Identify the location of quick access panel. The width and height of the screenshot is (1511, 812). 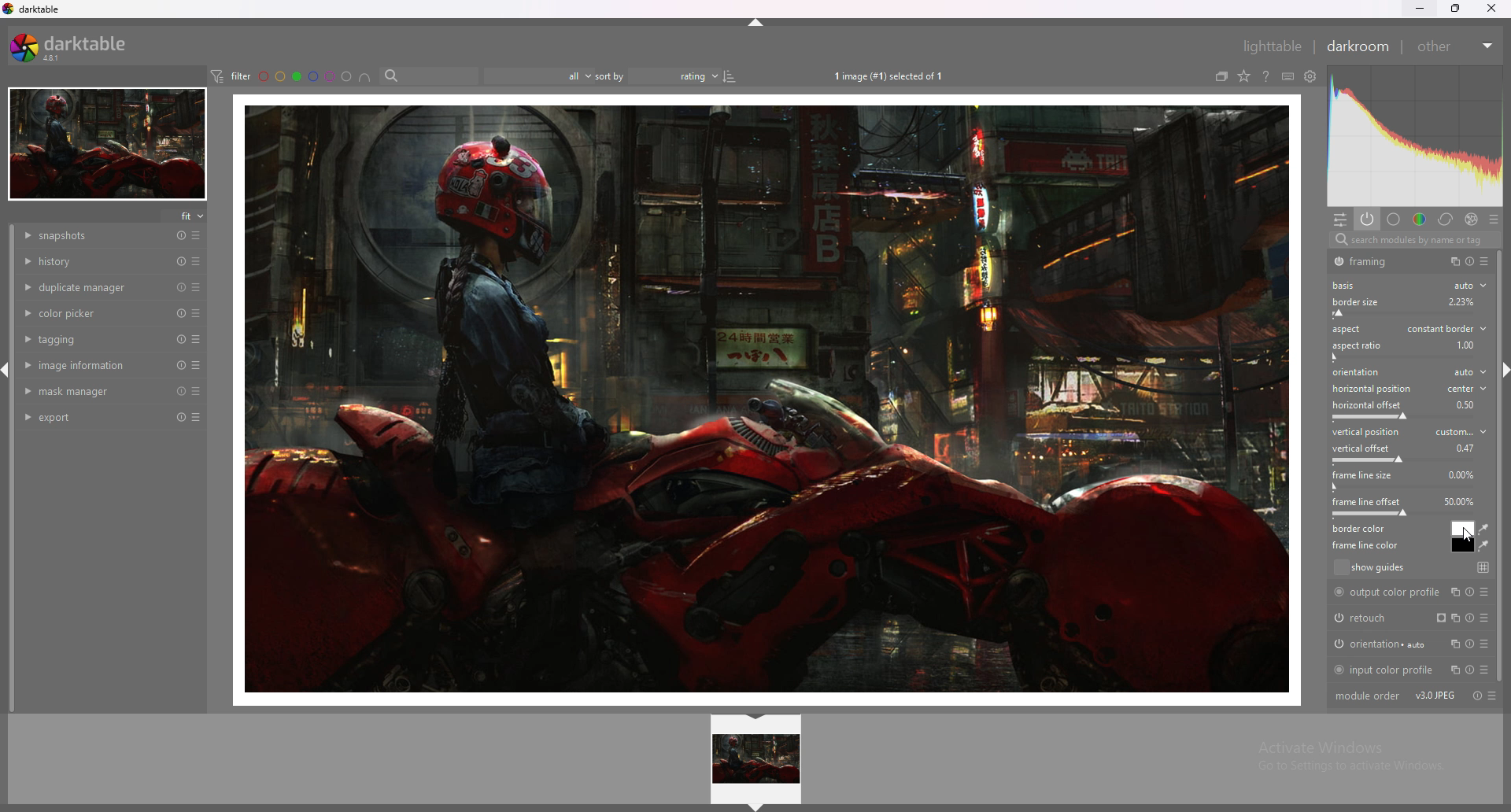
(1340, 220).